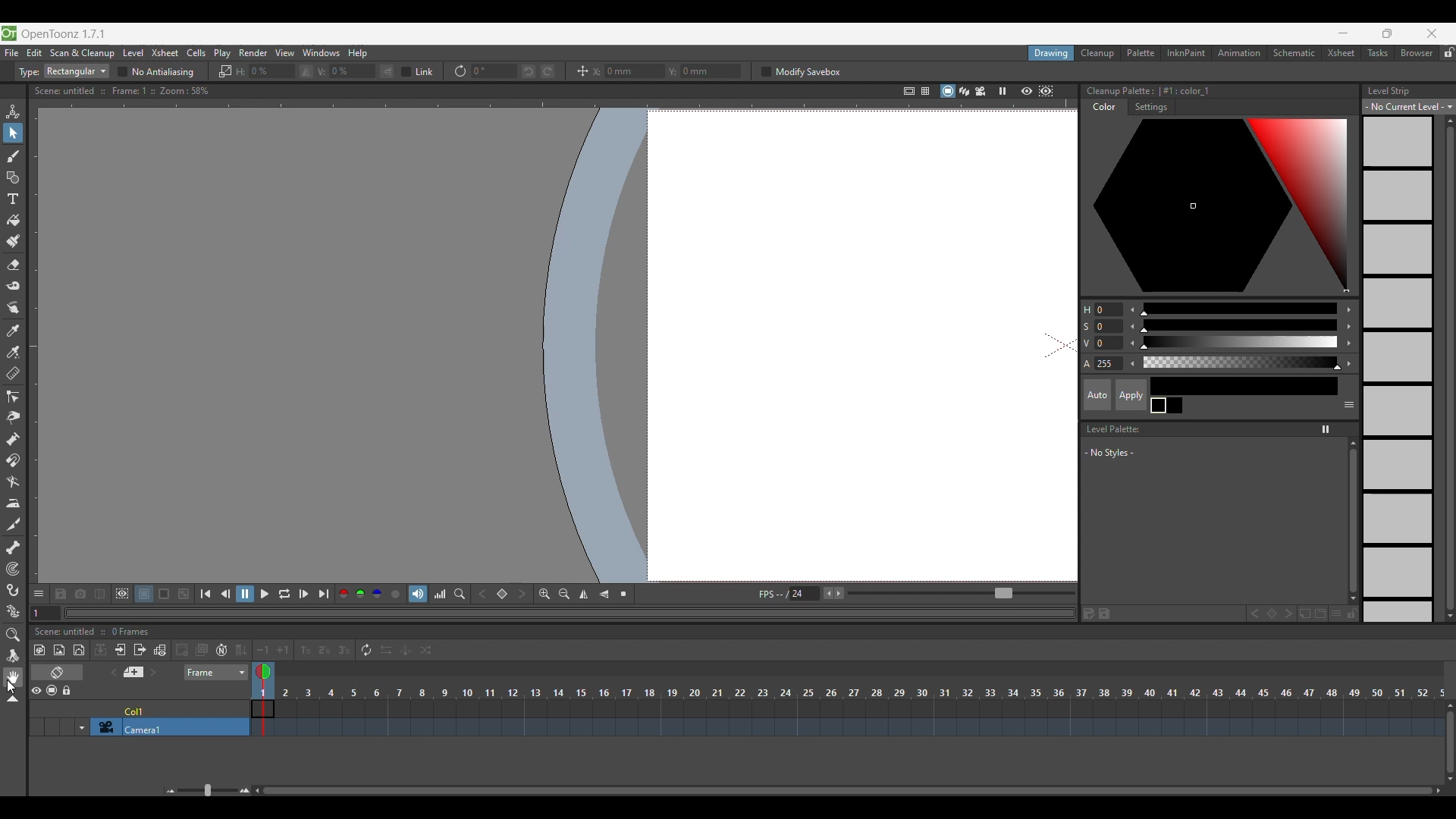 This screenshot has height=819, width=1456. What do you see at coordinates (1378, 53) in the screenshot?
I see `Tasks` at bounding box center [1378, 53].